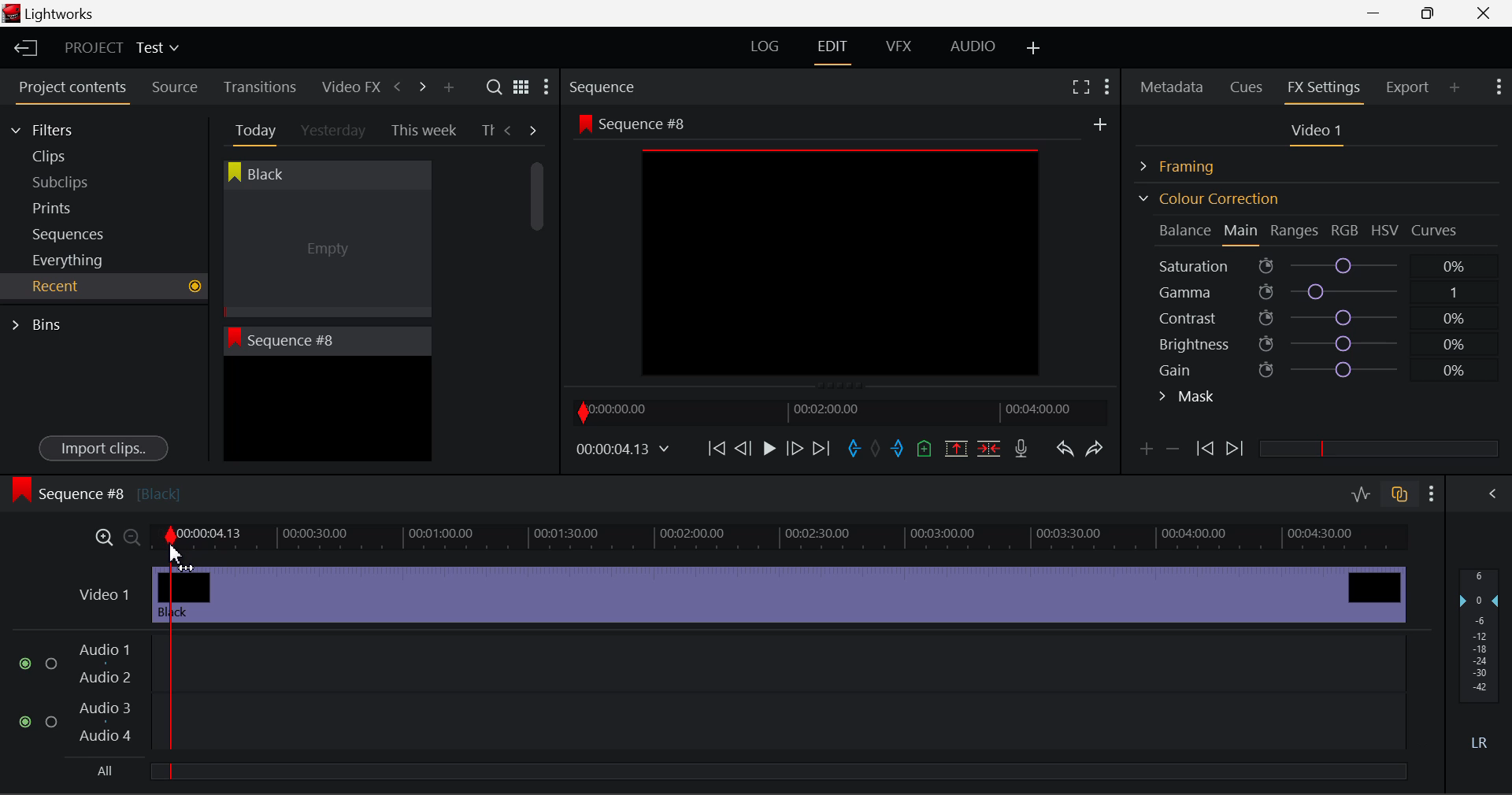 The height and width of the screenshot is (795, 1512). Describe the element at coordinates (779, 593) in the screenshot. I see `Black Video Inserted` at that location.